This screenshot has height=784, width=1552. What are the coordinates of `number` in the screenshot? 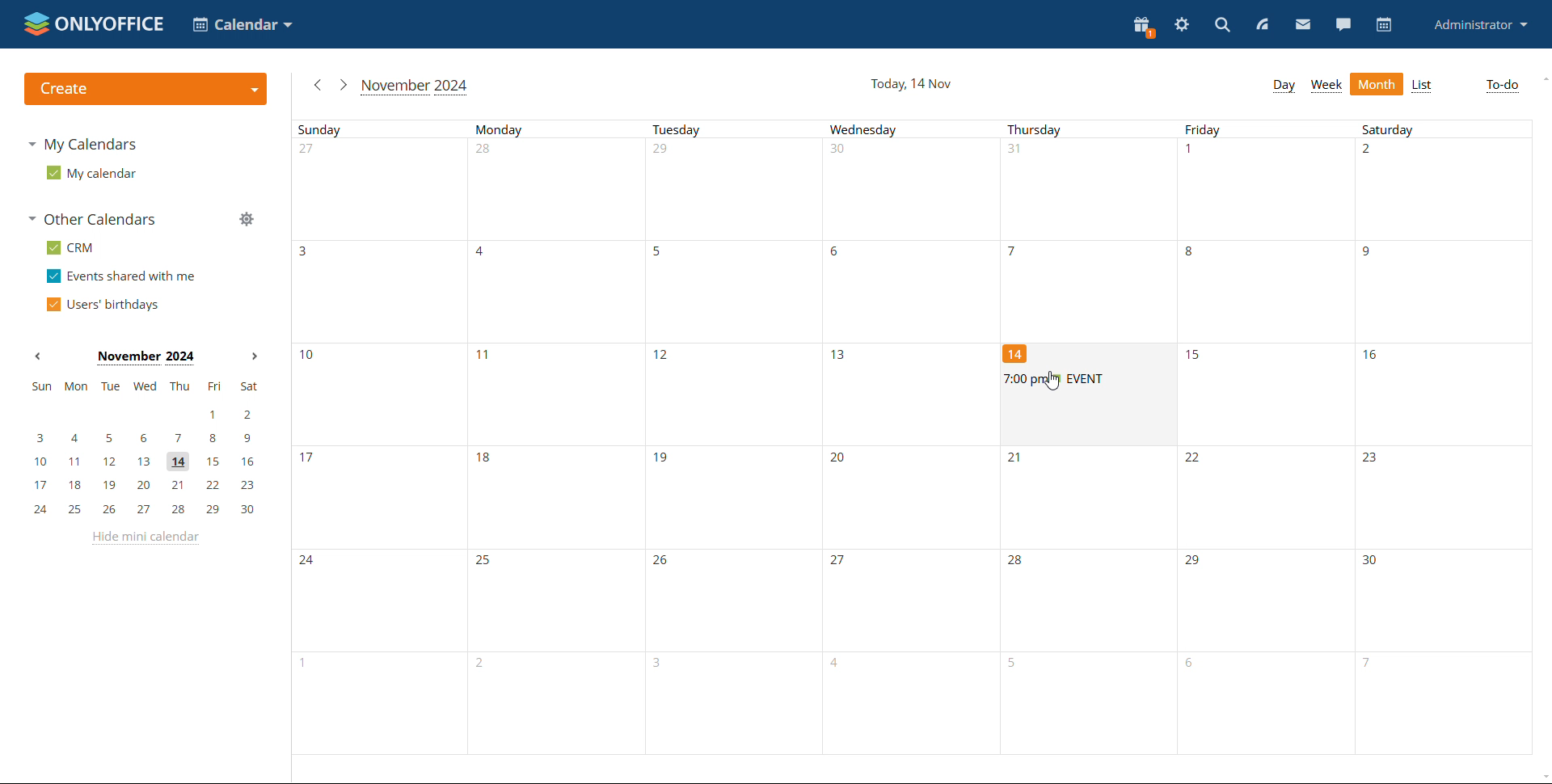 It's located at (306, 457).